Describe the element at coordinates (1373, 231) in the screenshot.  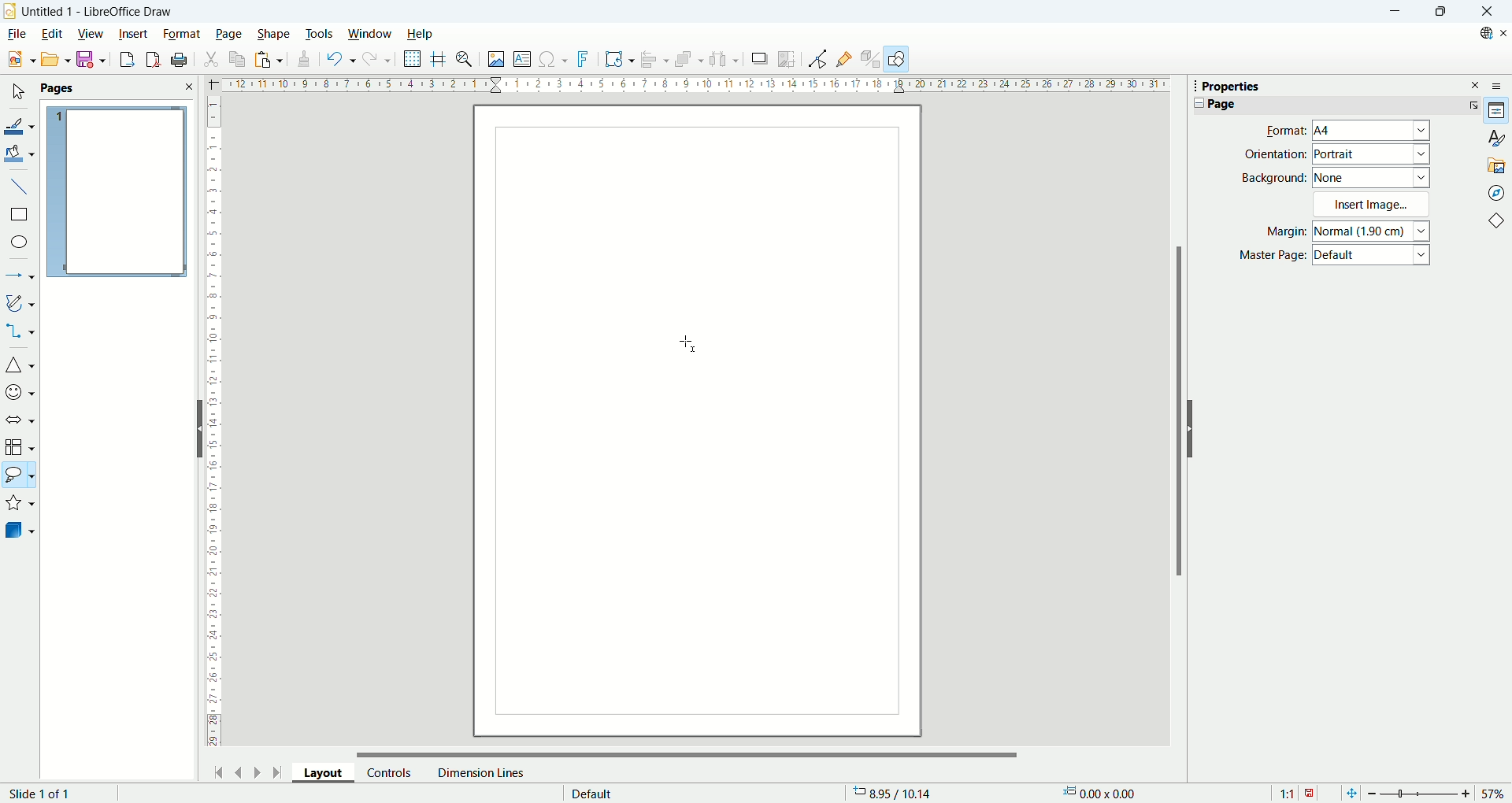
I see `Normal` at that location.